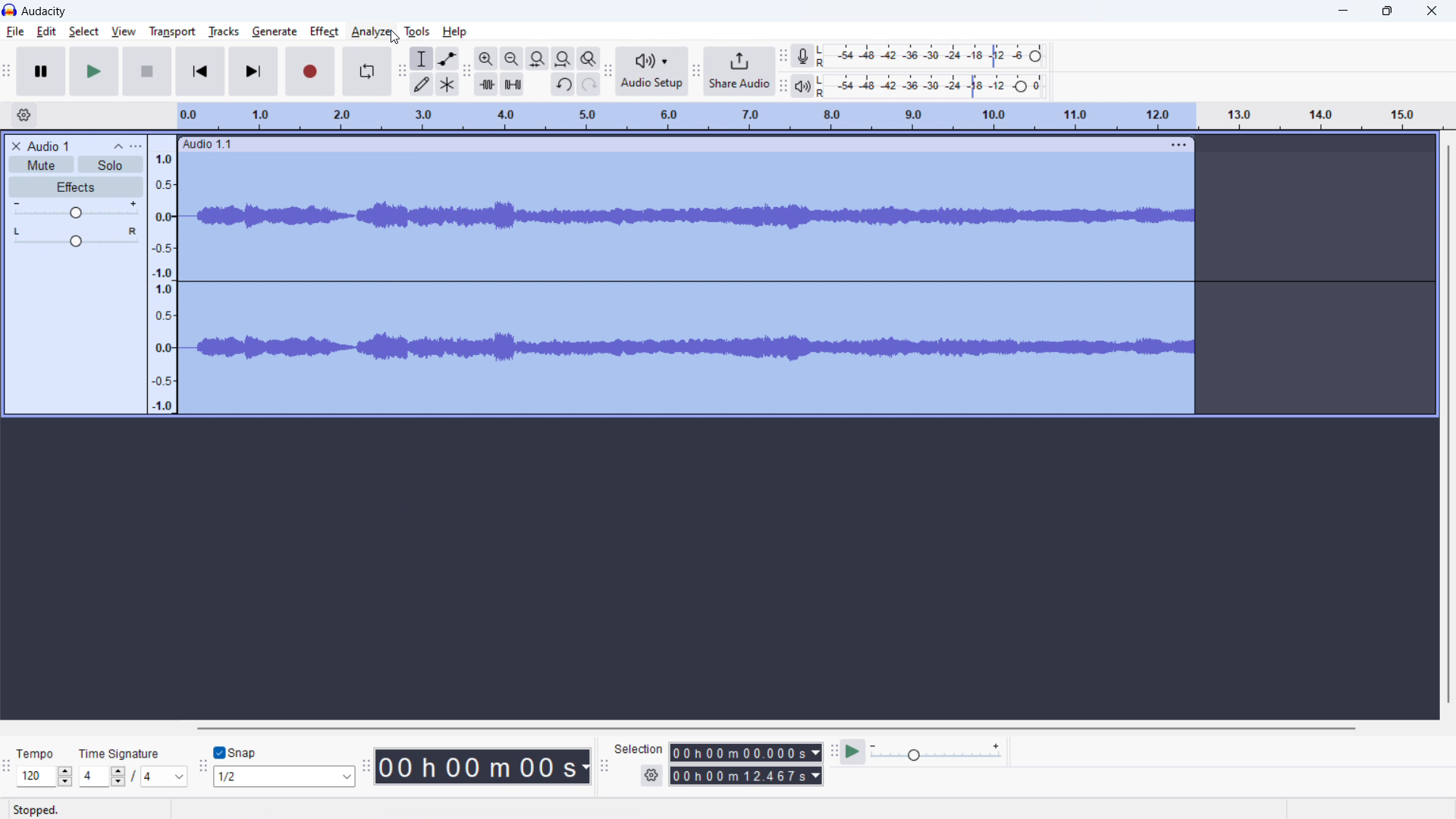 This screenshot has width=1456, height=819. Describe the element at coordinates (421, 84) in the screenshot. I see `draw tool` at that location.